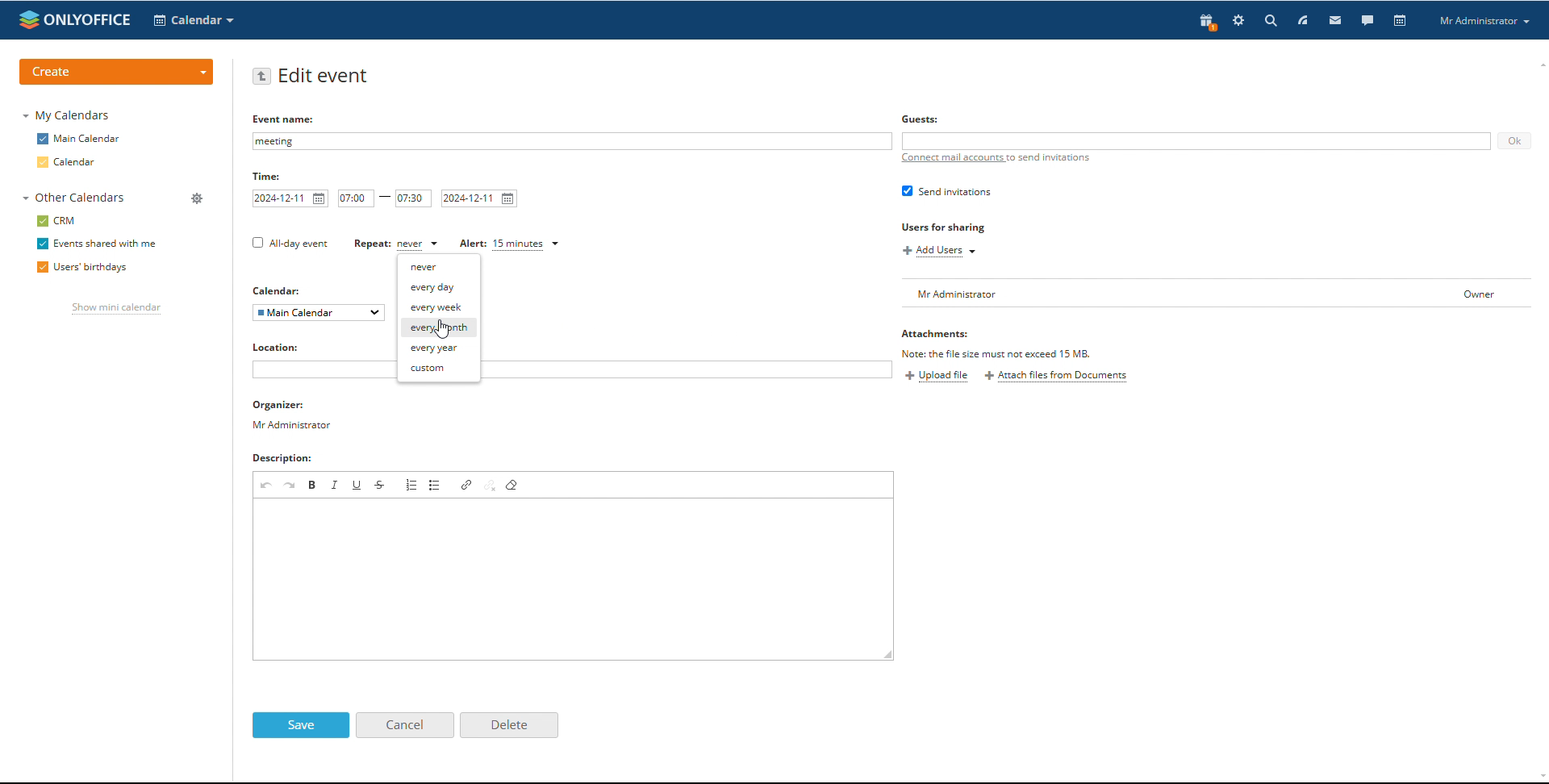 This screenshot has height=784, width=1549. What do you see at coordinates (439, 307) in the screenshot?
I see `every week` at bounding box center [439, 307].